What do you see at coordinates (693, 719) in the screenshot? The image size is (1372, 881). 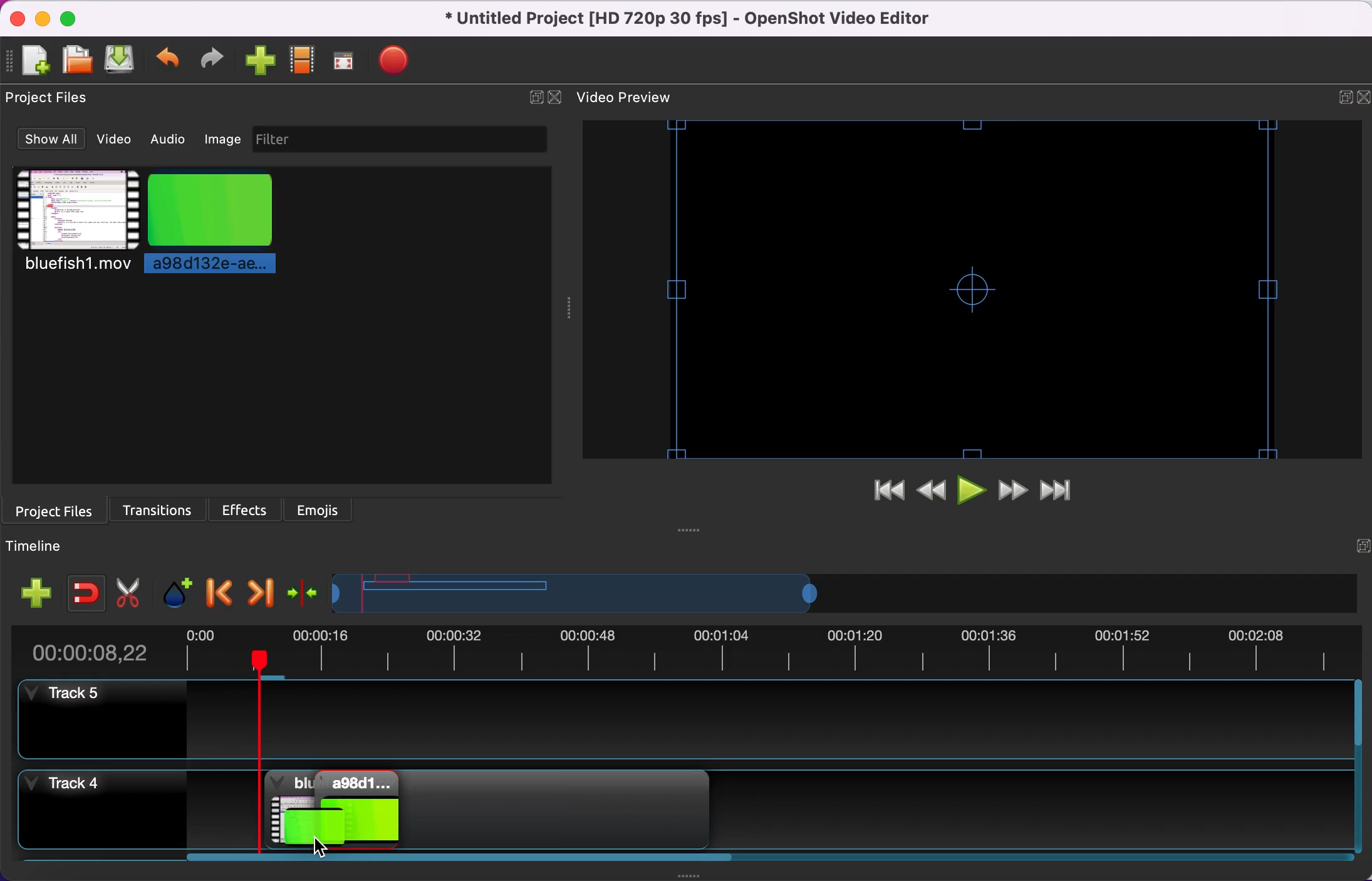 I see `track 5` at bounding box center [693, 719].